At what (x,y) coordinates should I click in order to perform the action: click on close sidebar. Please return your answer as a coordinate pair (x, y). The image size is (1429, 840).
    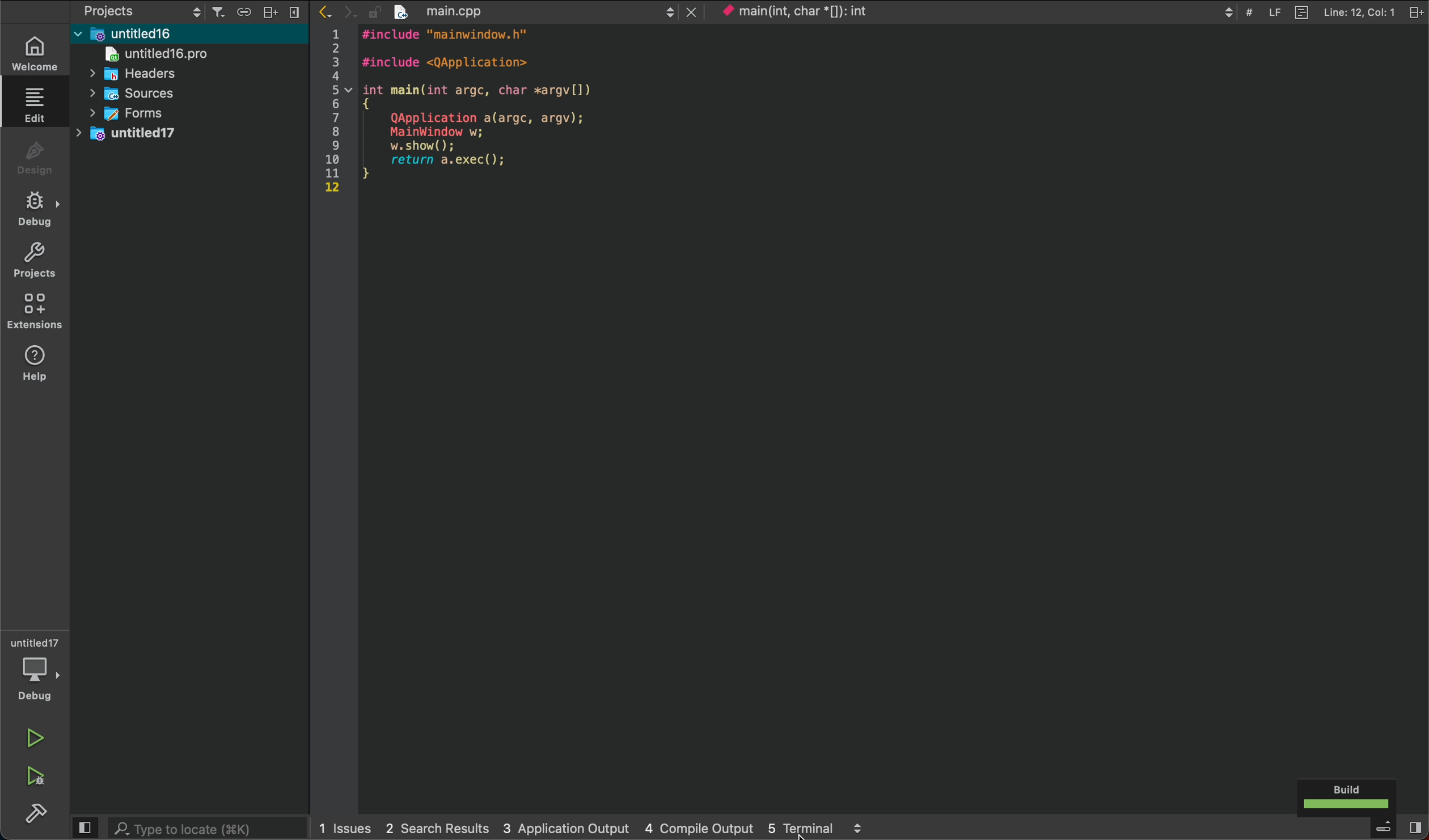
    Looking at the image, I should click on (299, 13).